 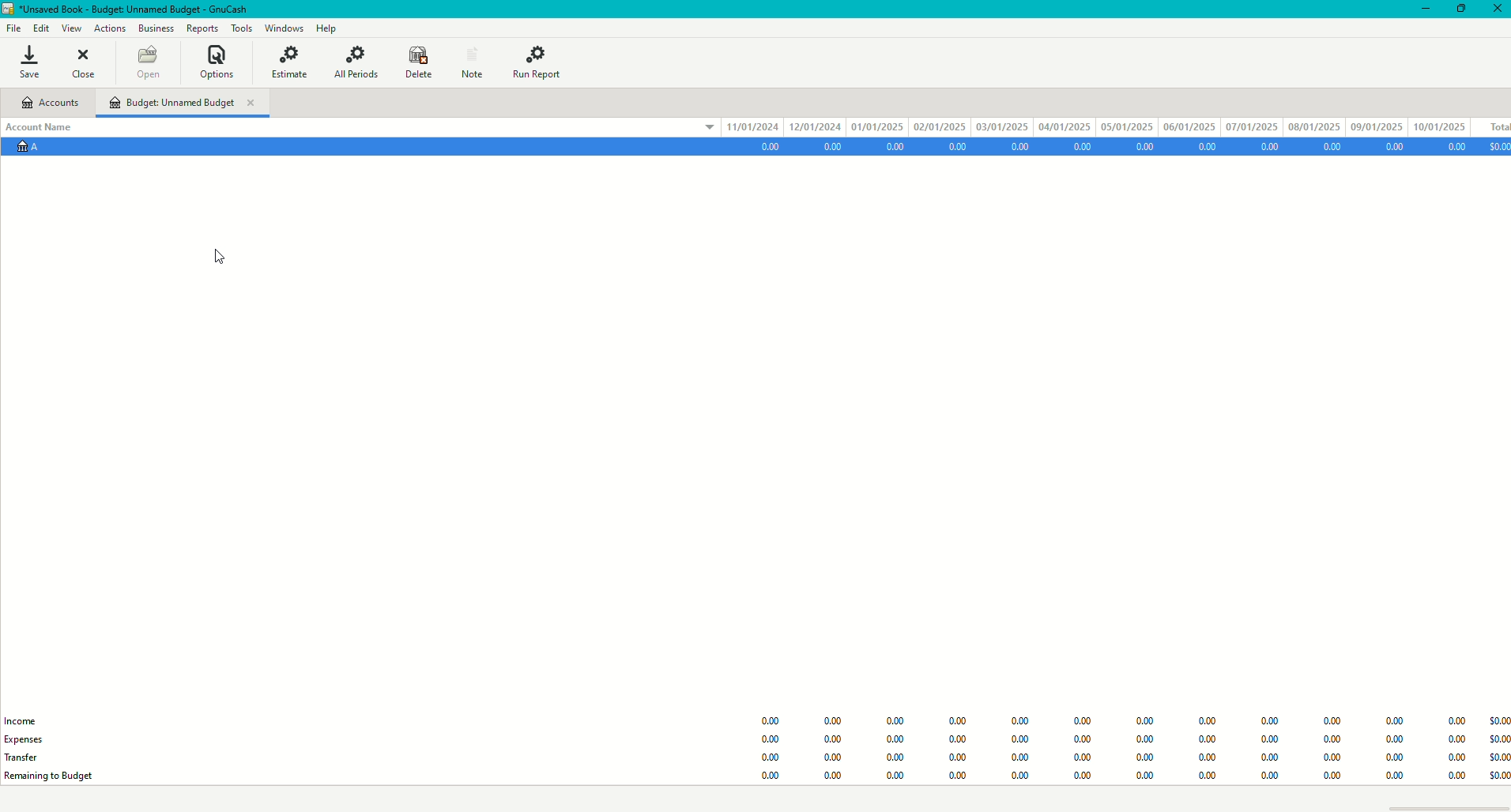 What do you see at coordinates (58, 102) in the screenshot?
I see `Accounts` at bounding box center [58, 102].